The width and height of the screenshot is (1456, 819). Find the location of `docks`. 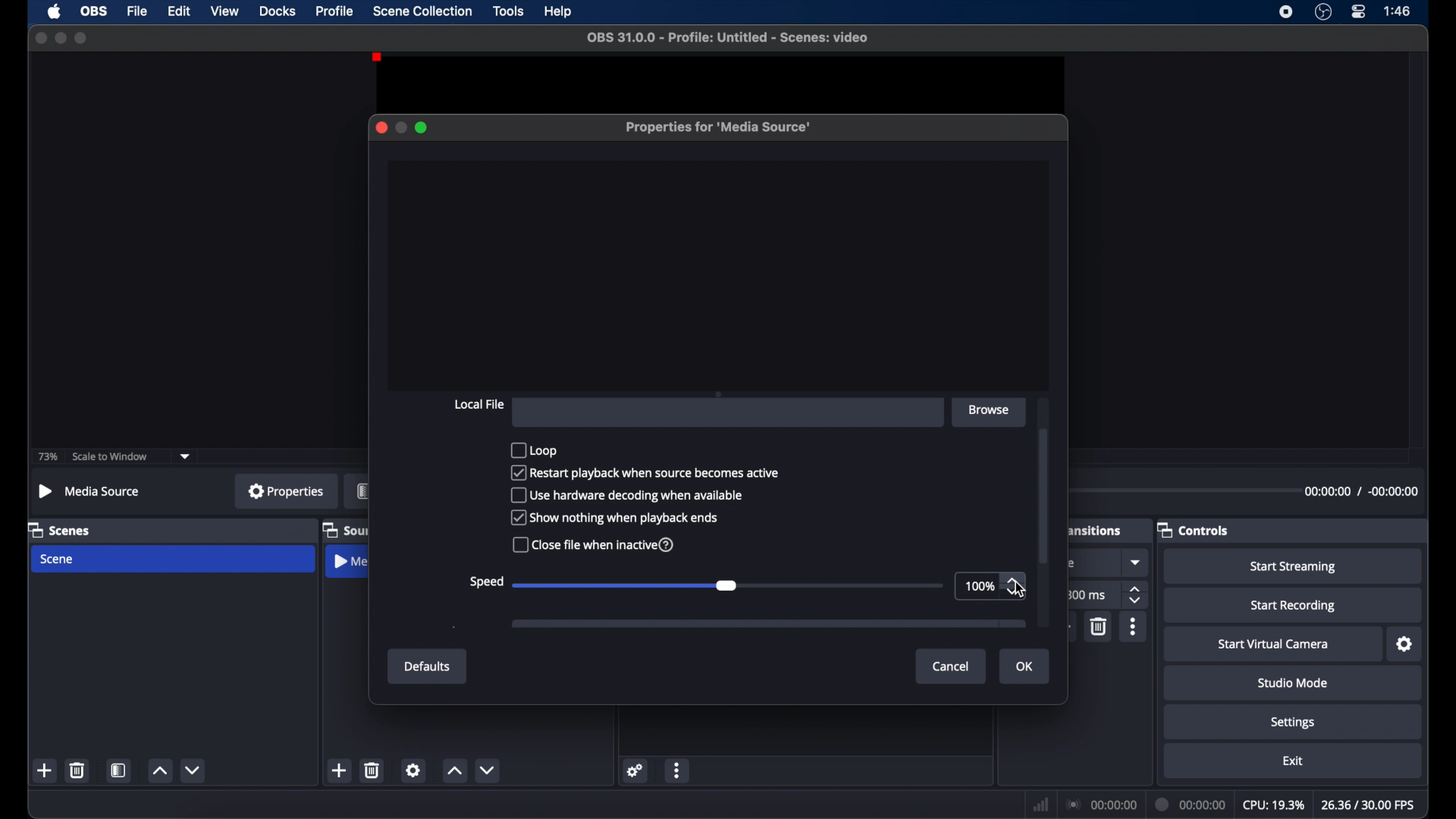

docks is located at coordinates (279, 11).